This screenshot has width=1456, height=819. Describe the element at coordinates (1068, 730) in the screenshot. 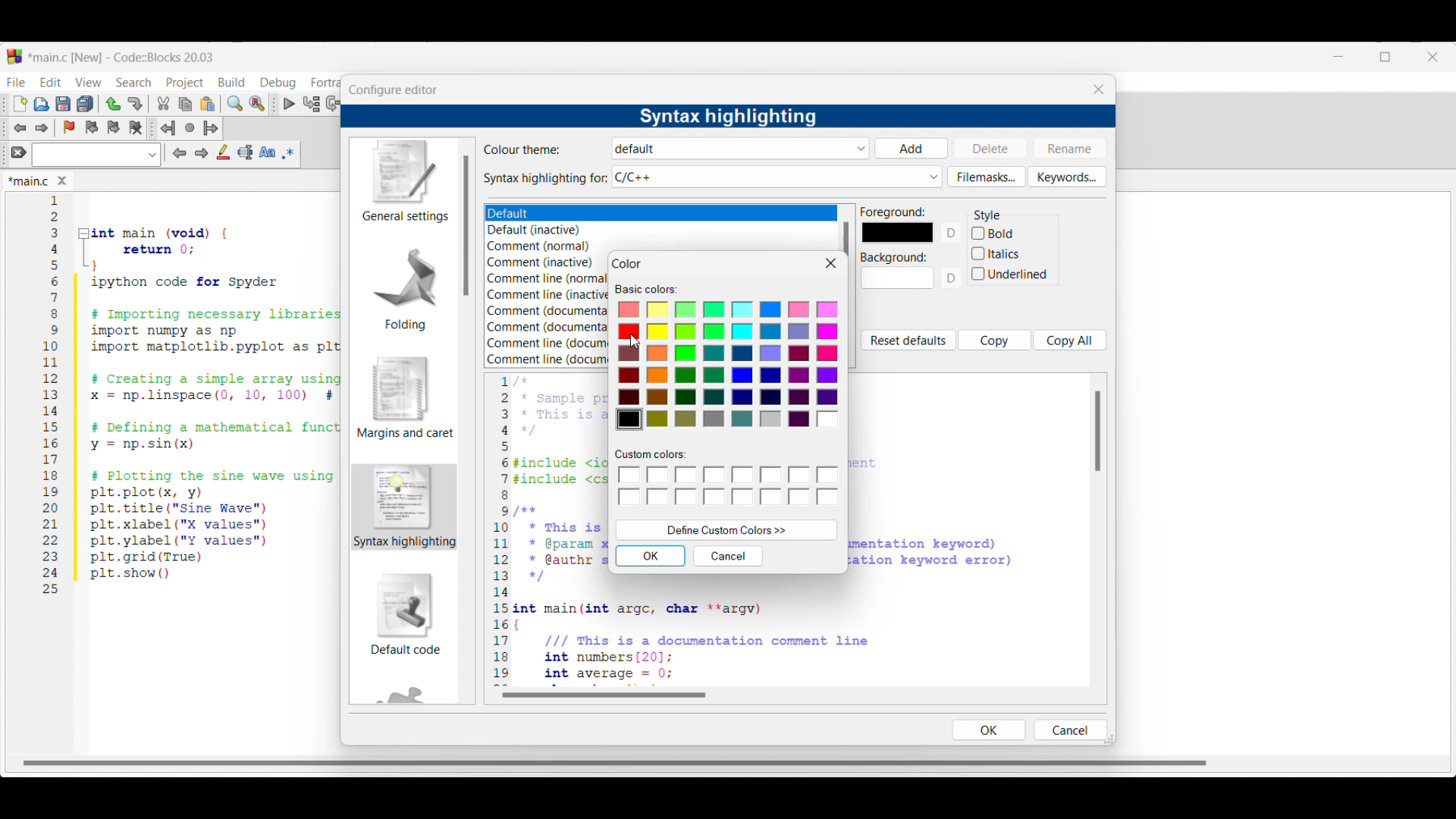

I see `Cancel` at that location.